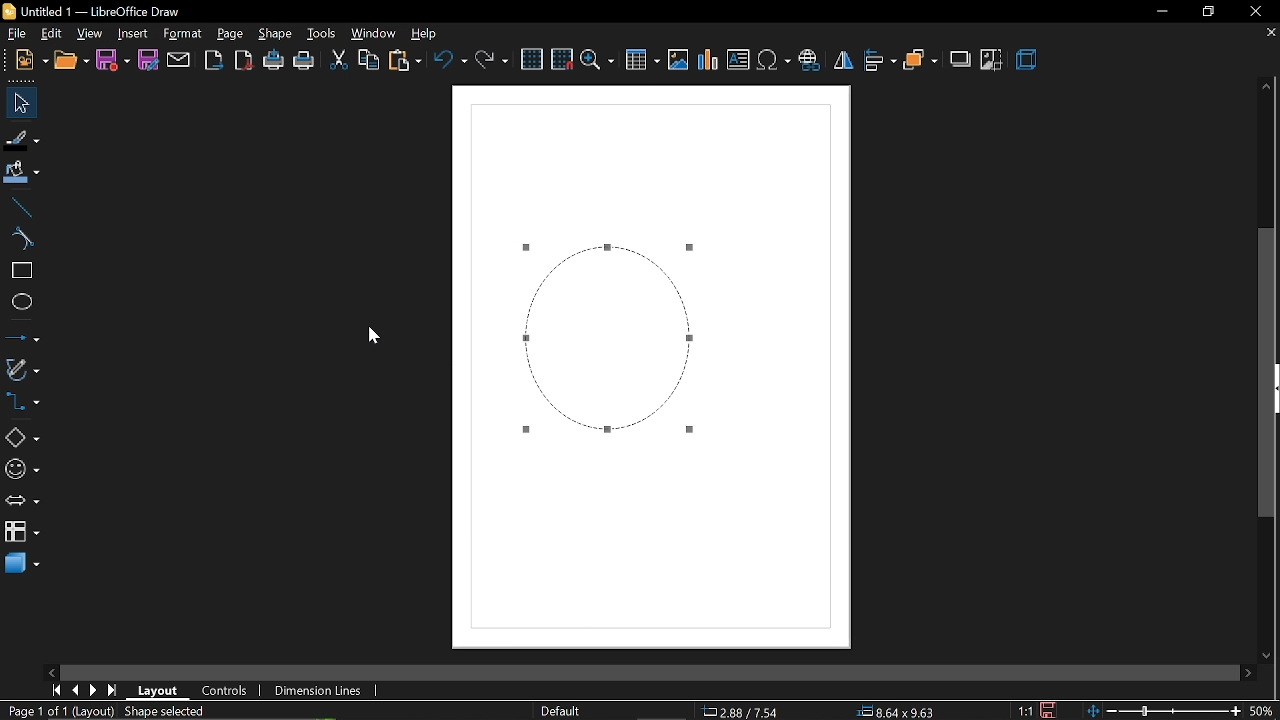 The height and width of the screenshot is (720, 1280). I want to click on help, so click(424, 32).